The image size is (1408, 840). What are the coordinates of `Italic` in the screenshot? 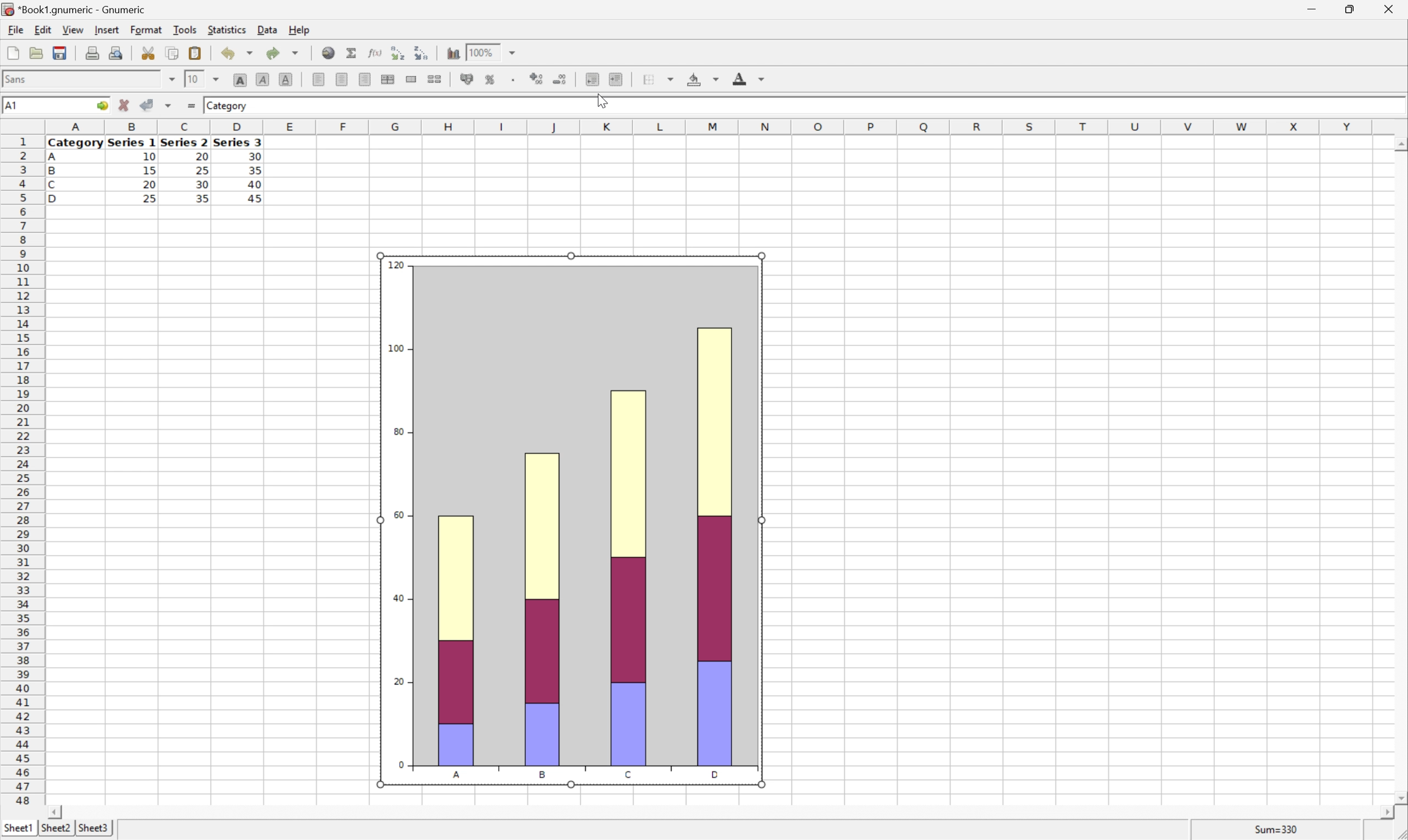 It's located at (262, 79).